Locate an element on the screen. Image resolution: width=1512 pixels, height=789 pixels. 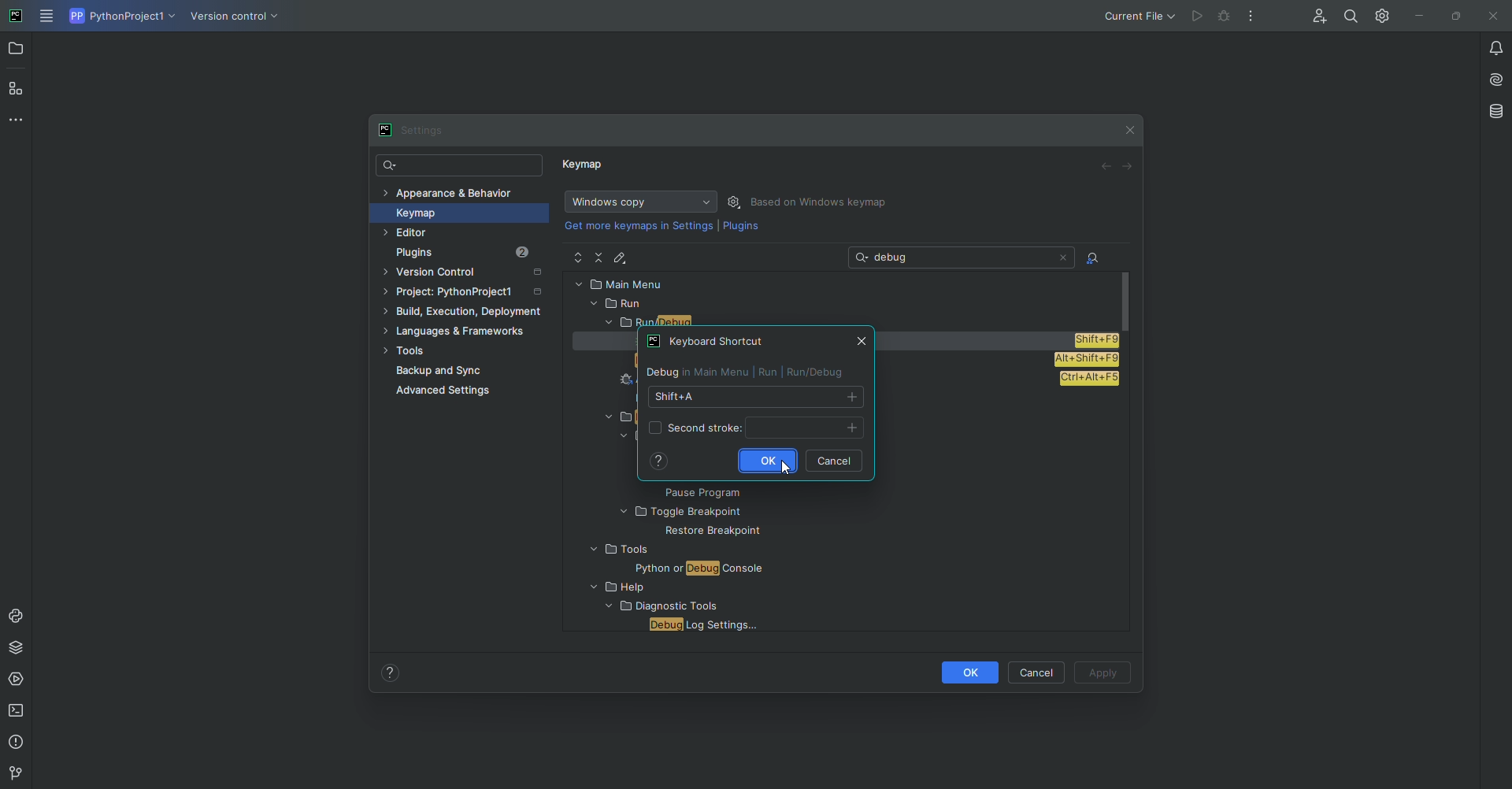
Cannot run the file is located at coordinates (1213, 17).